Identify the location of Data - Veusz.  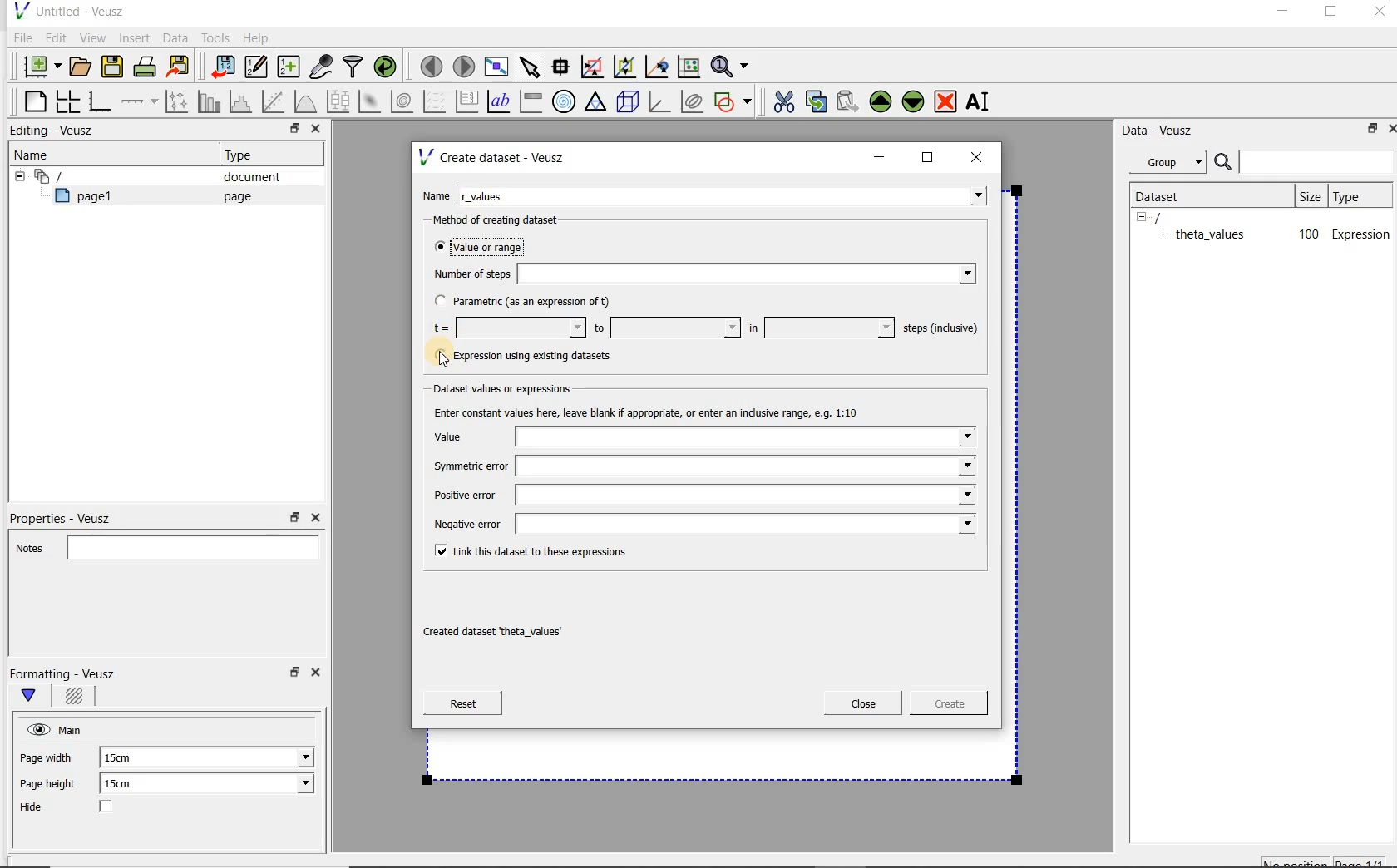
(1163, 130).